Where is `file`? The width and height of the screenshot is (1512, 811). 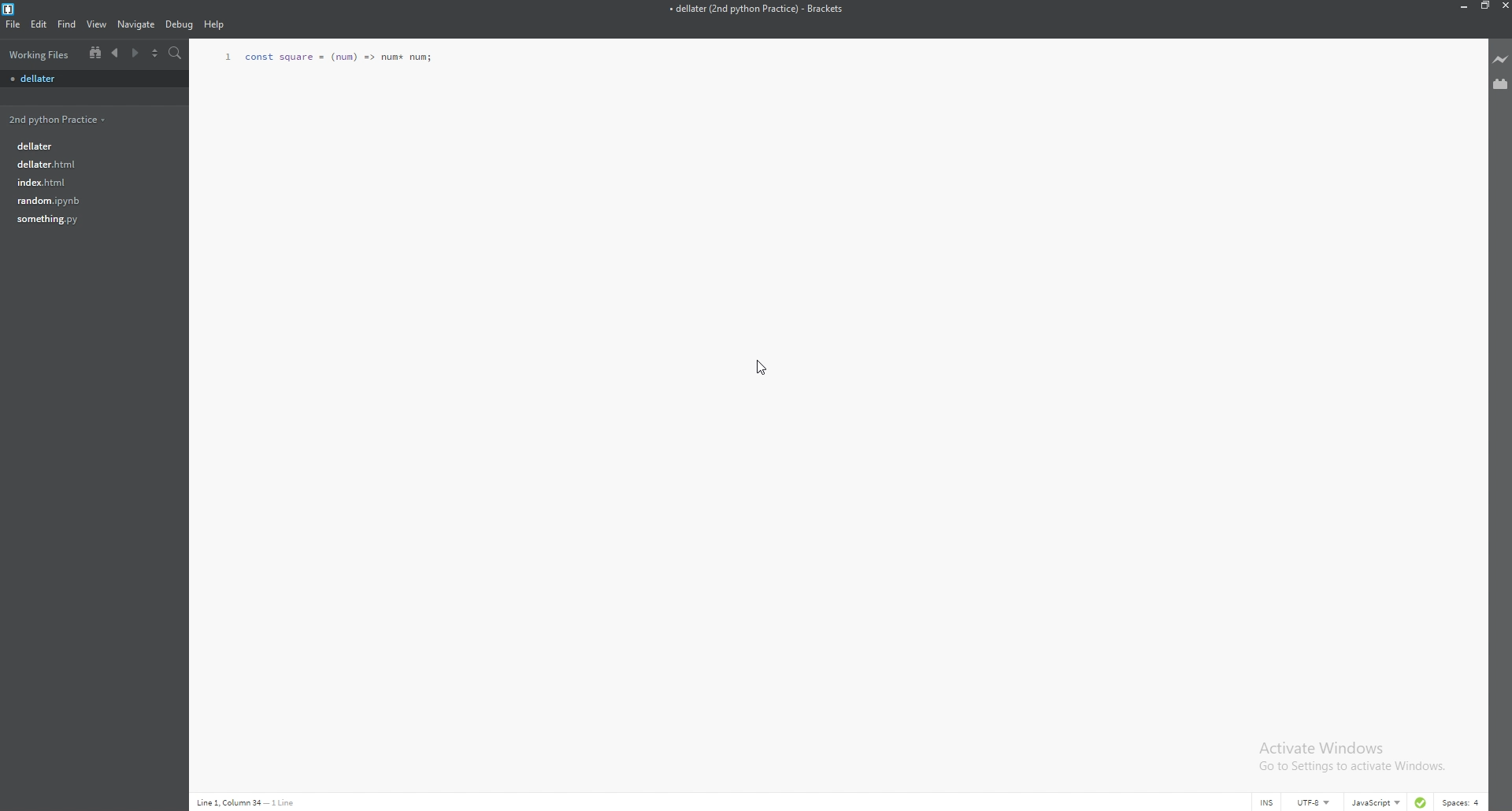 file is located at coordinates (91, 80).